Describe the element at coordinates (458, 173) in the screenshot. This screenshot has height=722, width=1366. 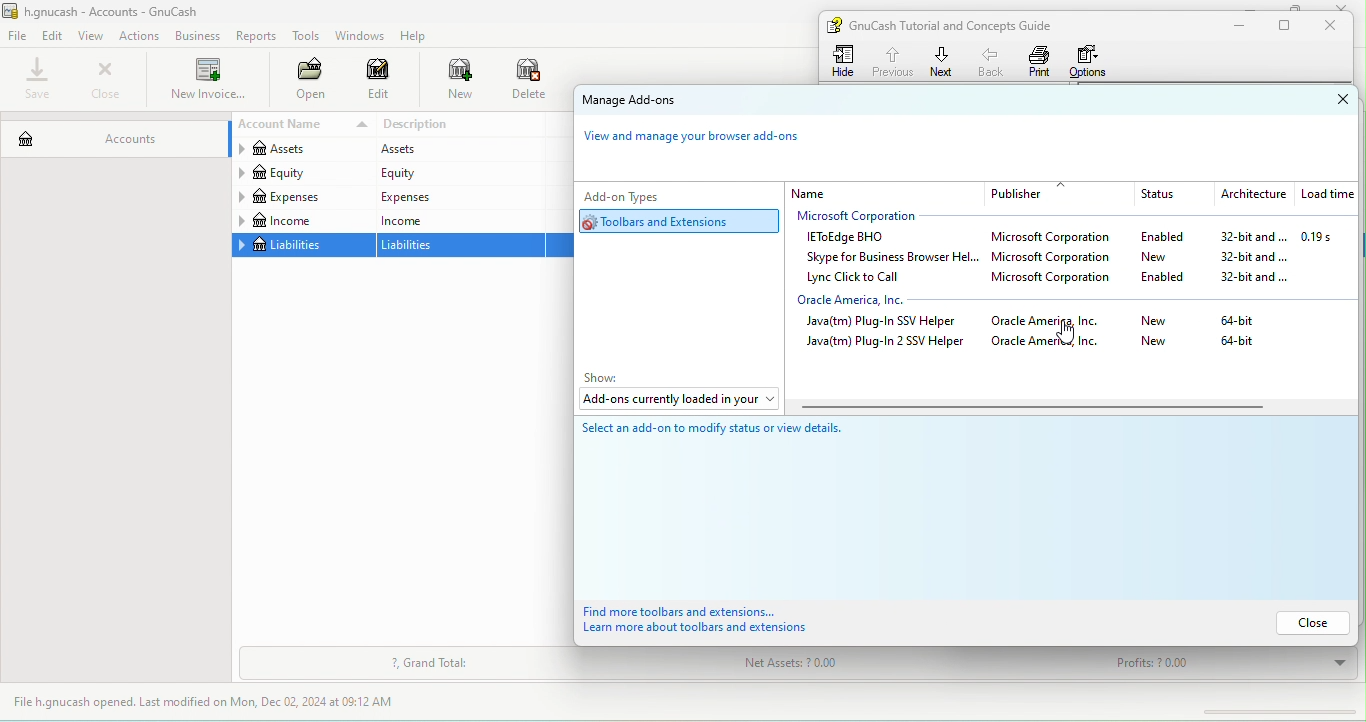
I see `equity` at that location.